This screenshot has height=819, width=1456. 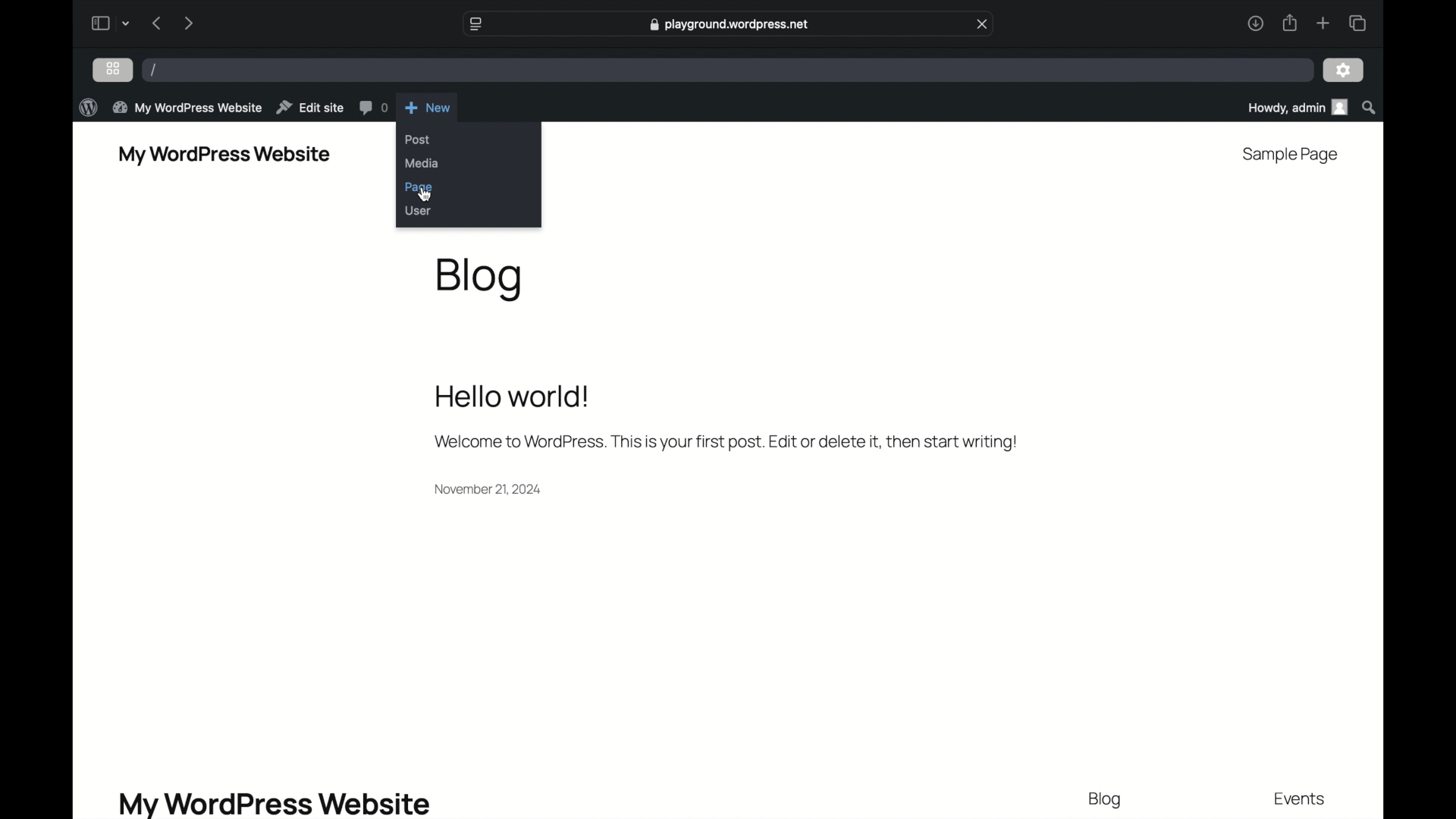 I want to click on downloads, so click(x=1254, y=23).